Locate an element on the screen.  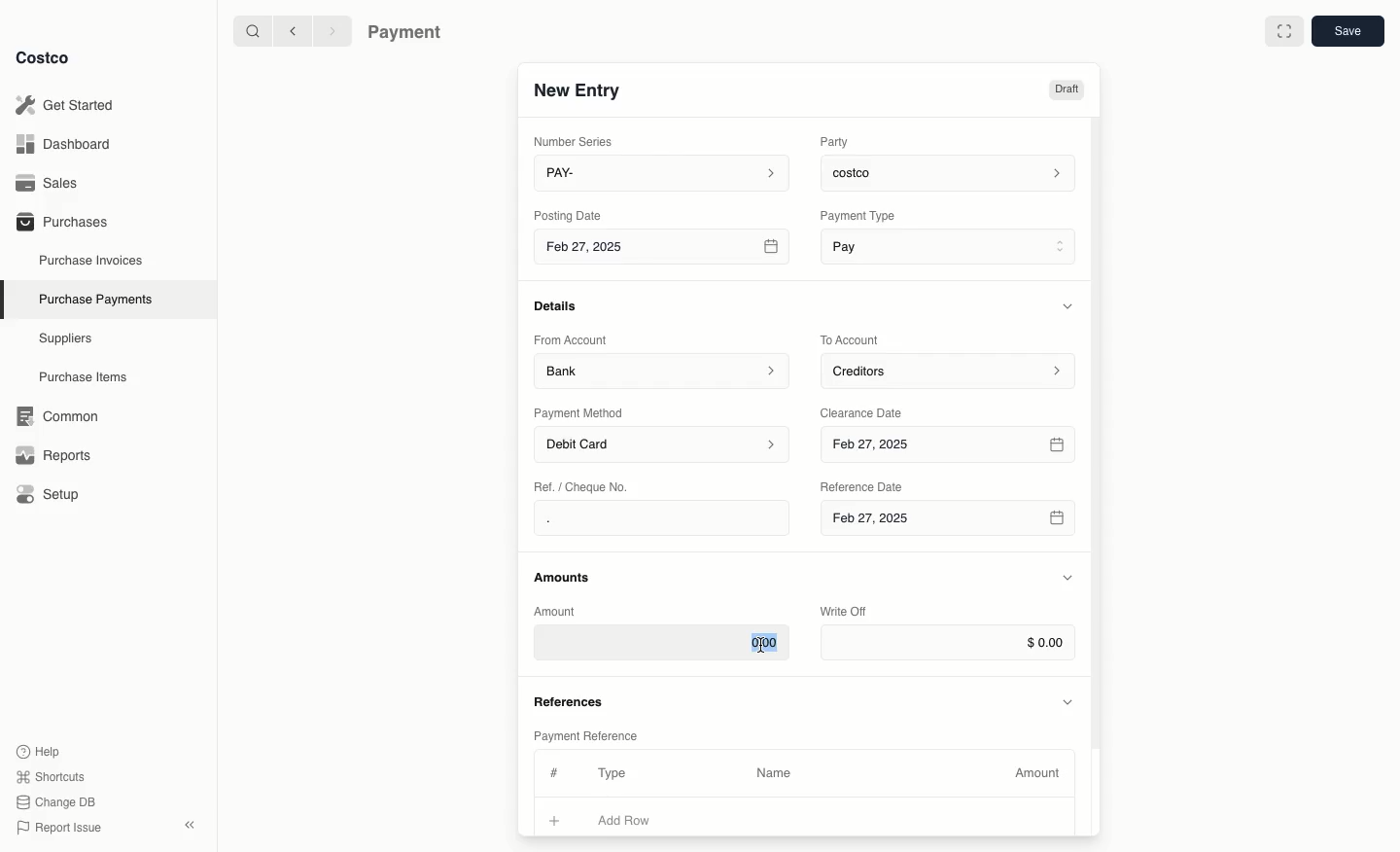
Search is located at coordinates (252, 29).